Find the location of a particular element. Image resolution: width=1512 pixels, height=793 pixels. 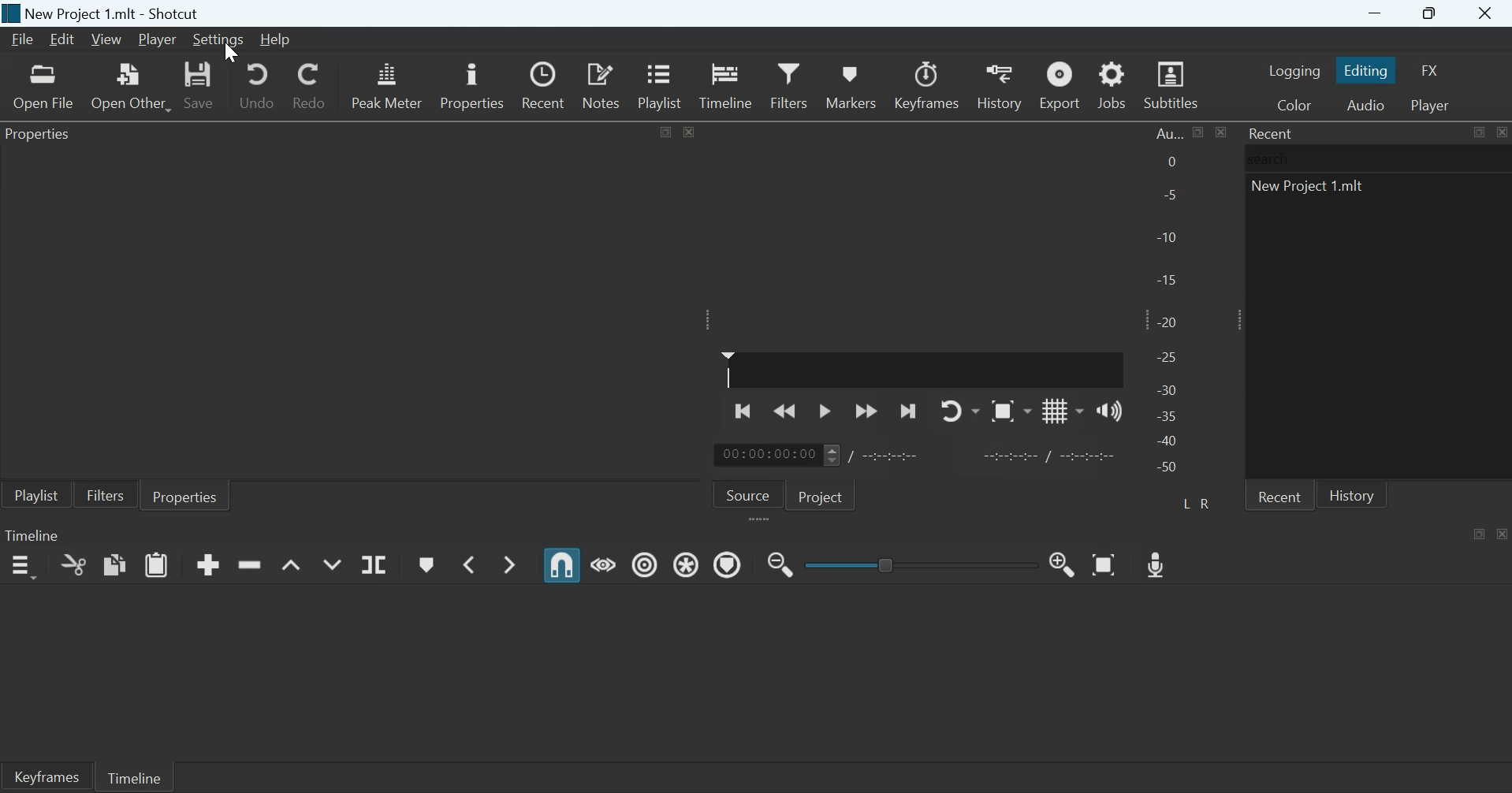

Undo is located at coordinates (257, 84).